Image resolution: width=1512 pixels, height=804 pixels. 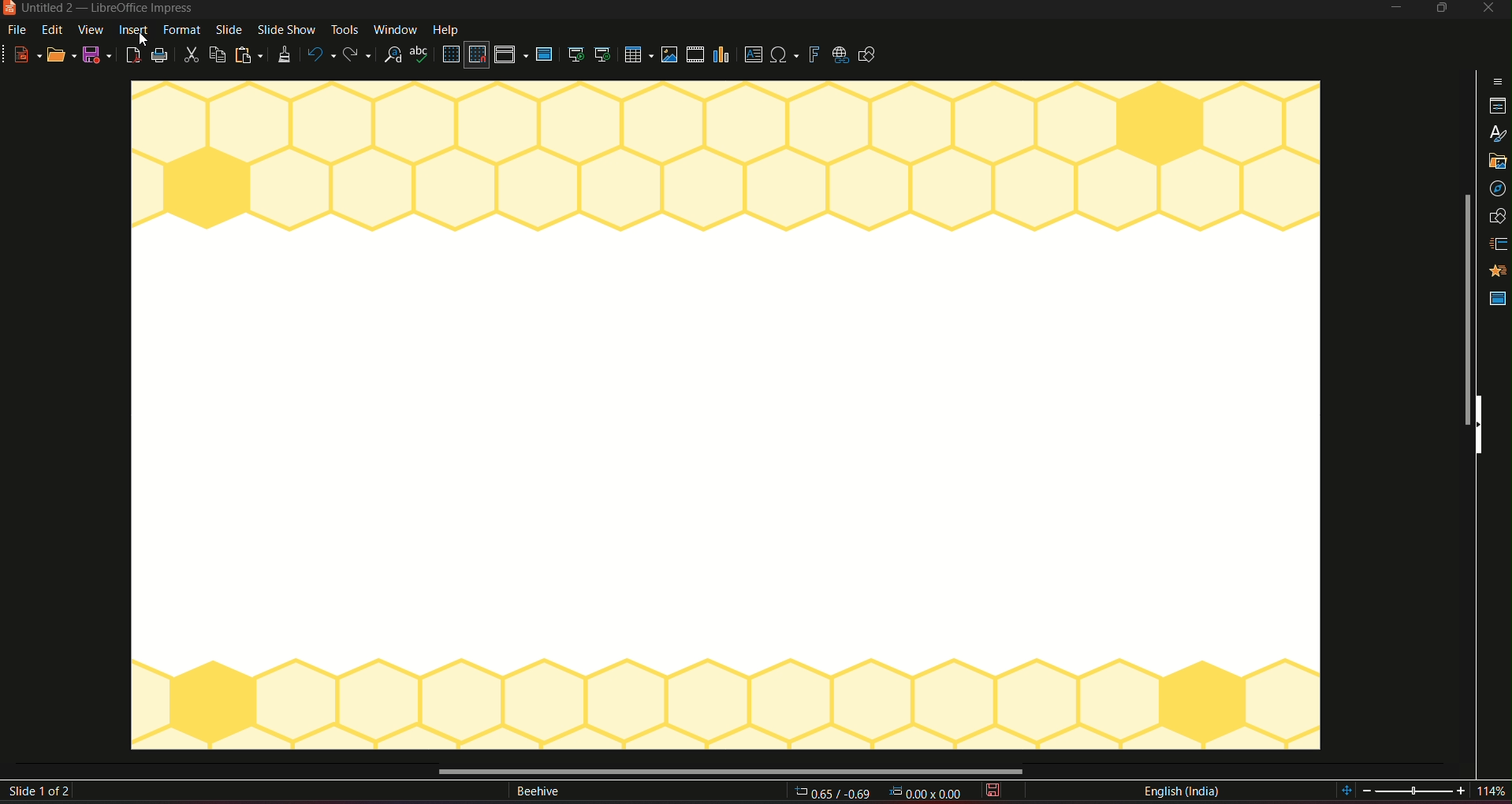 What do you see at coordinates (511, 55) in the screenshot?
I see `display views` at bounding box center [511, 55].